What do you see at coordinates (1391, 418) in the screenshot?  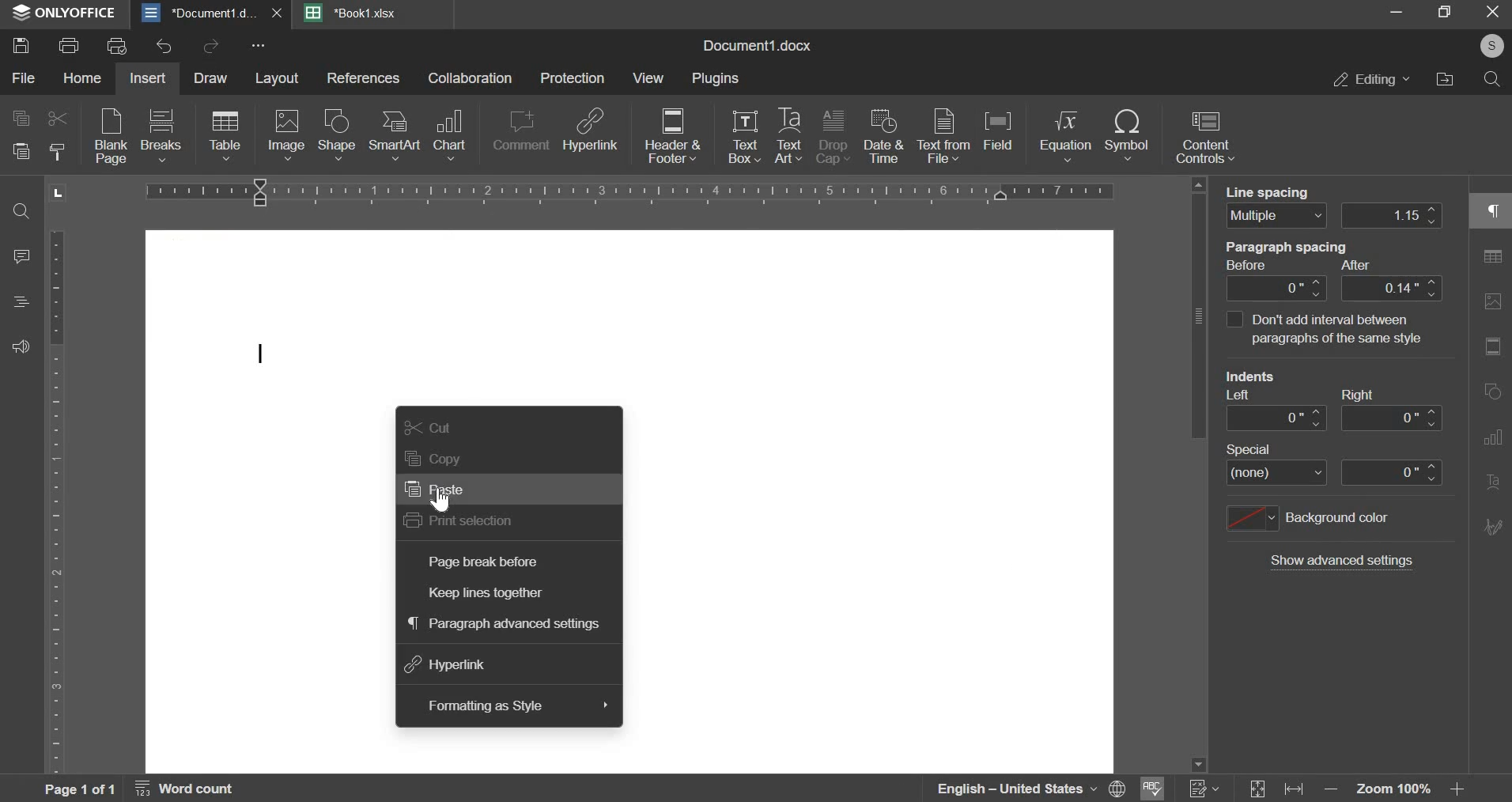 I see `right` at bounding box center [1391, 418].